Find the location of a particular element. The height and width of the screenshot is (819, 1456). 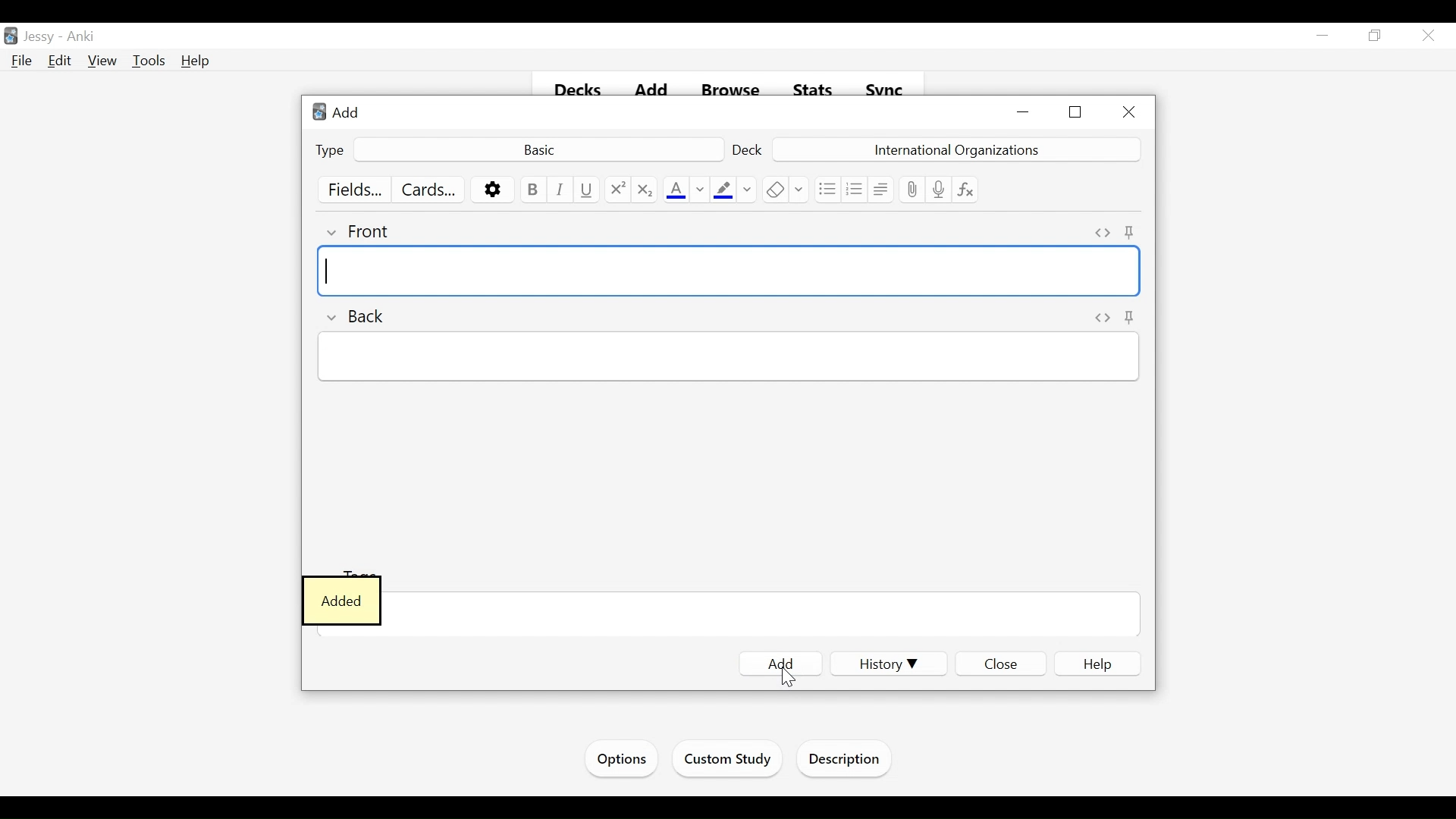

Description is located at coordinates (846, 761).